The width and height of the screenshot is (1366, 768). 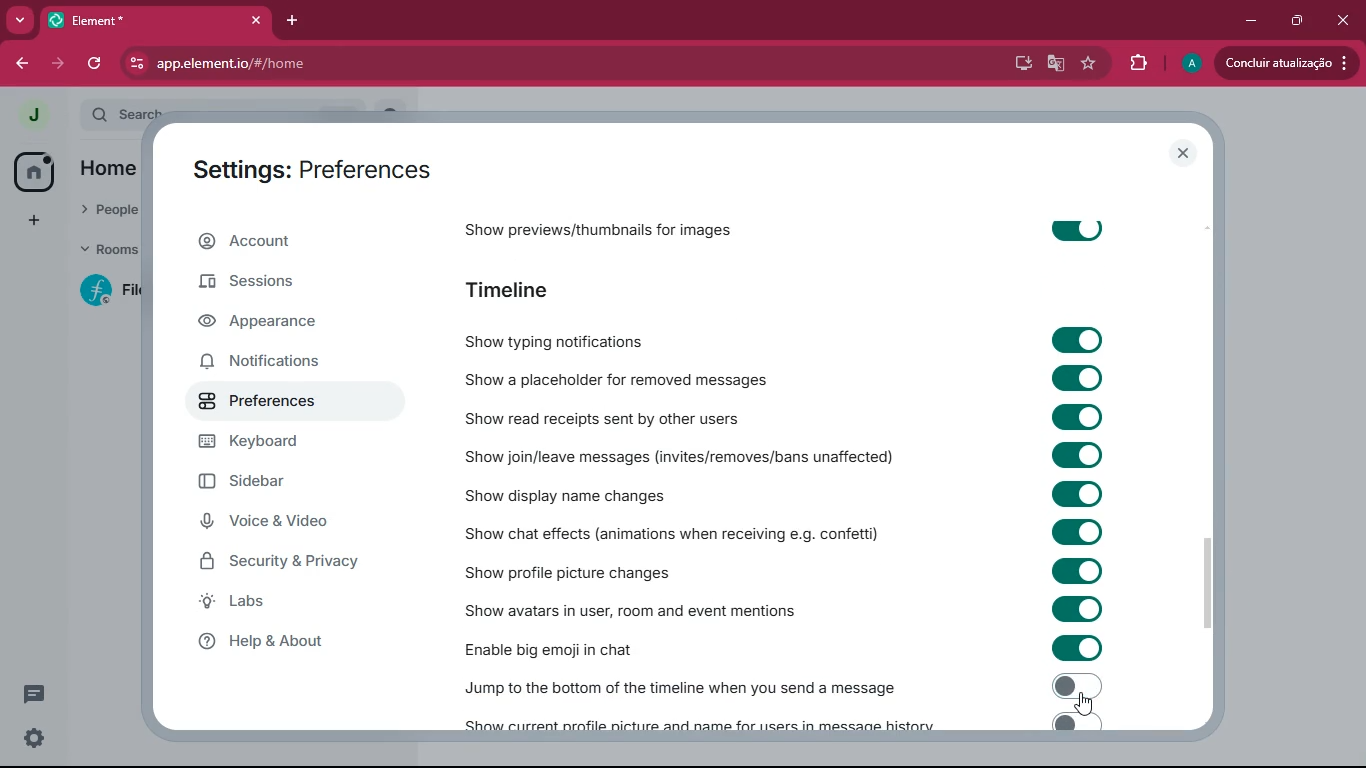 I want to click on account, so click(x=293, y=239).